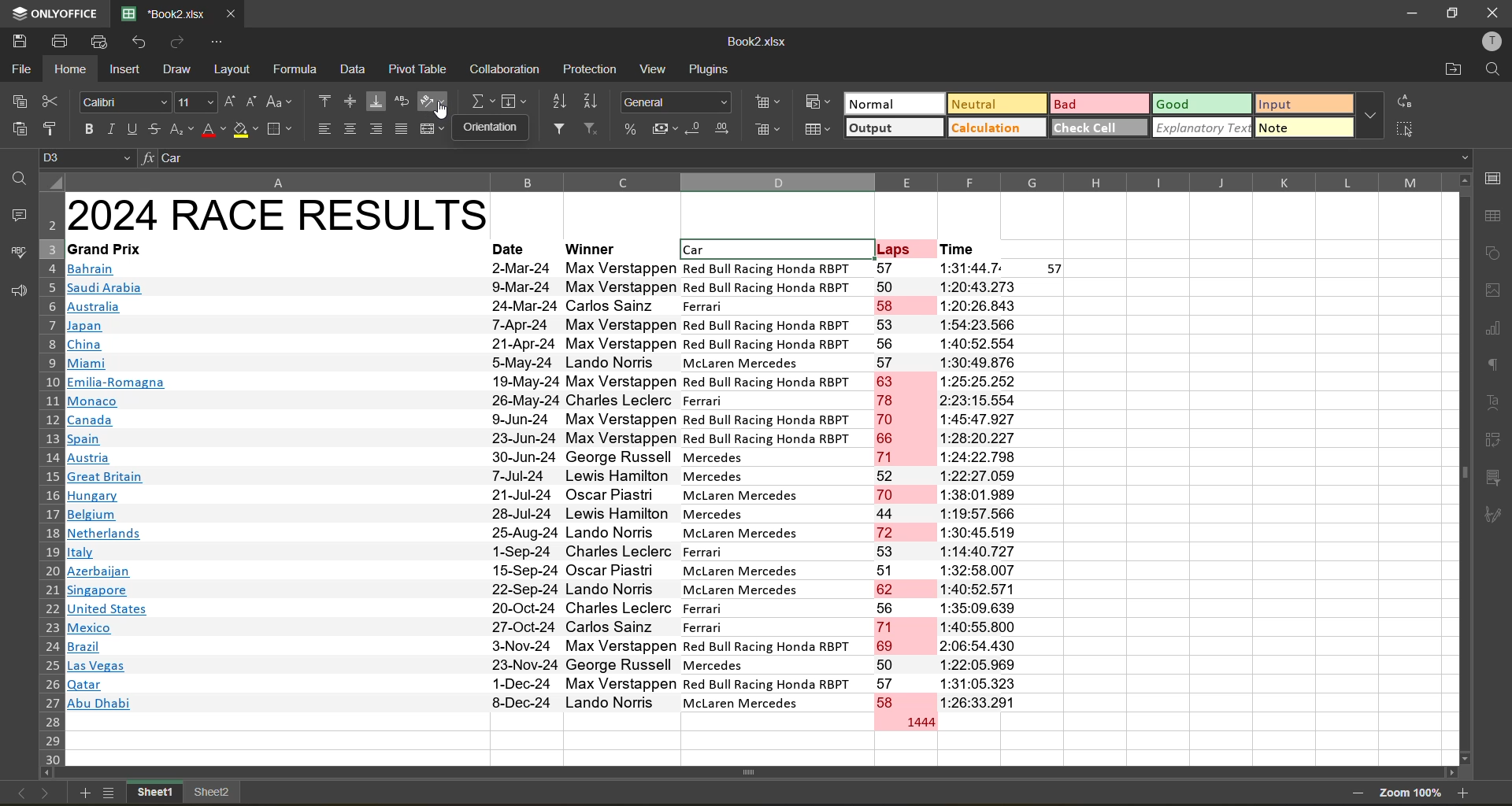 The image size is (1512, 806). I want to click on images, so click(1494, 290).